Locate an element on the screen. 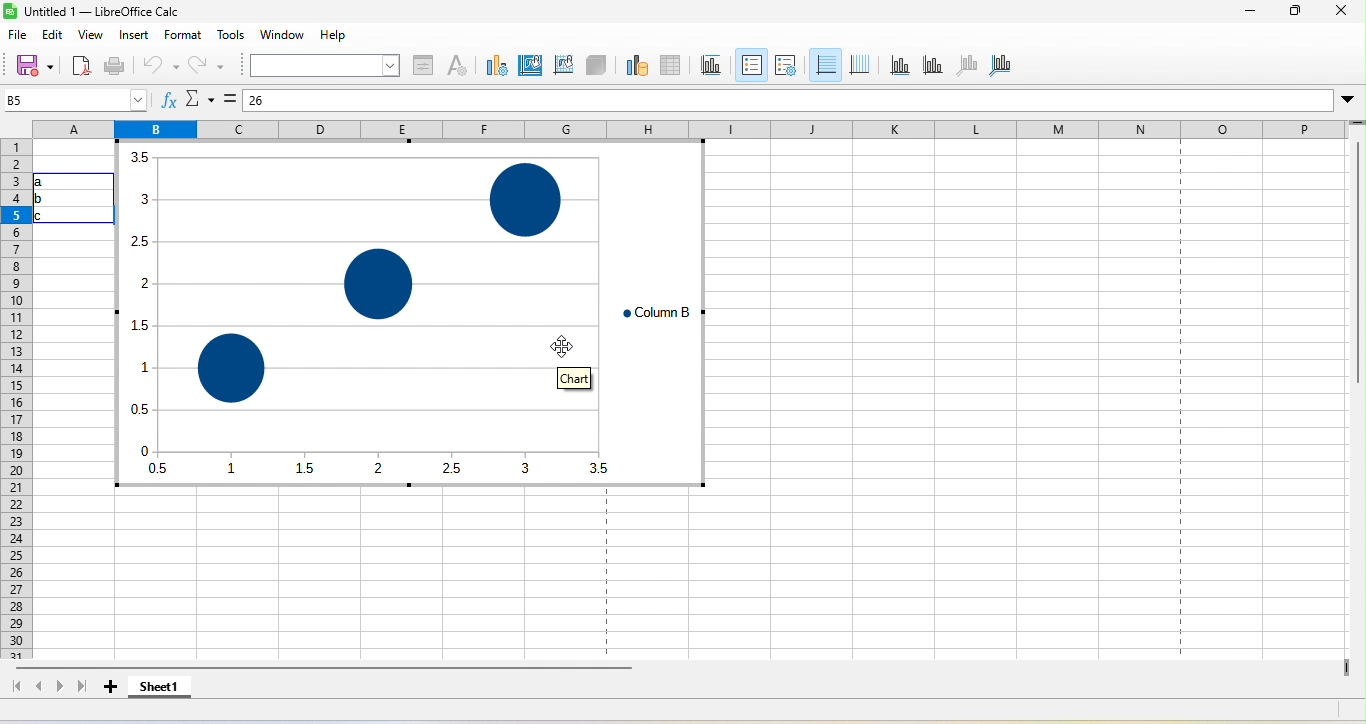 This screenshot has width=1366, height=724. select chart elemenyts is located at coordinates (323, 64).